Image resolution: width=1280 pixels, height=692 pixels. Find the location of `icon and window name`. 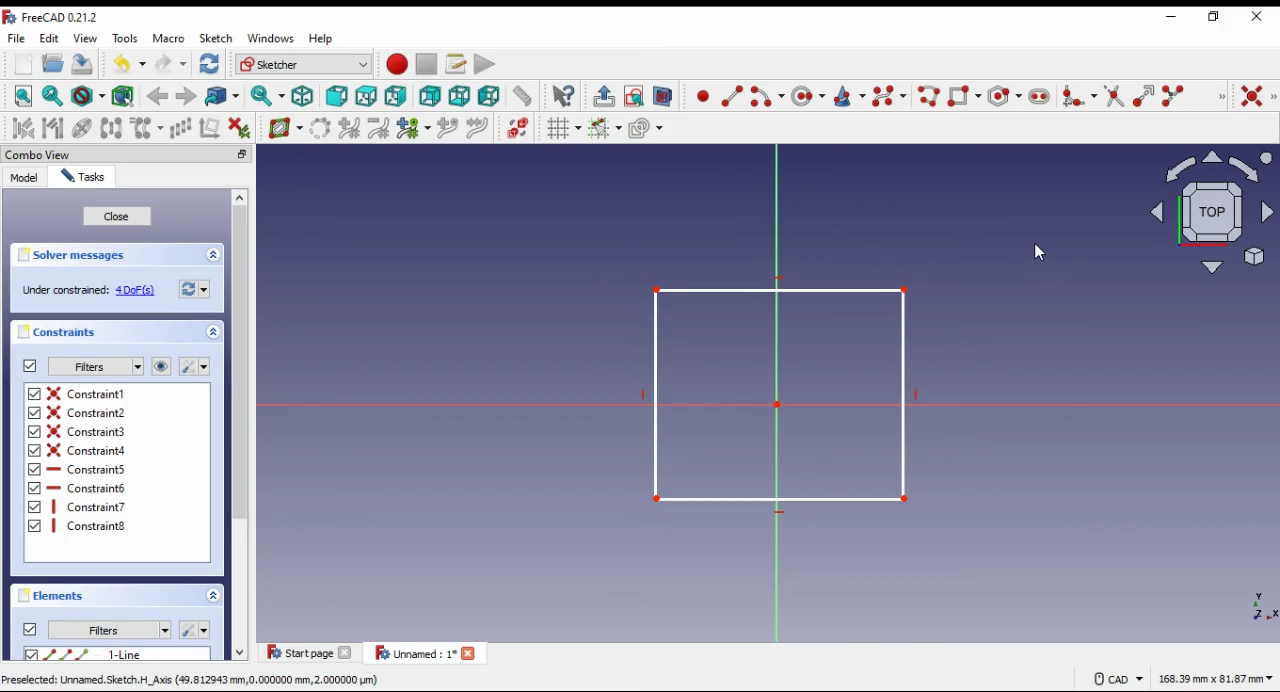

icon and window name is located at coordinates (54, 17).